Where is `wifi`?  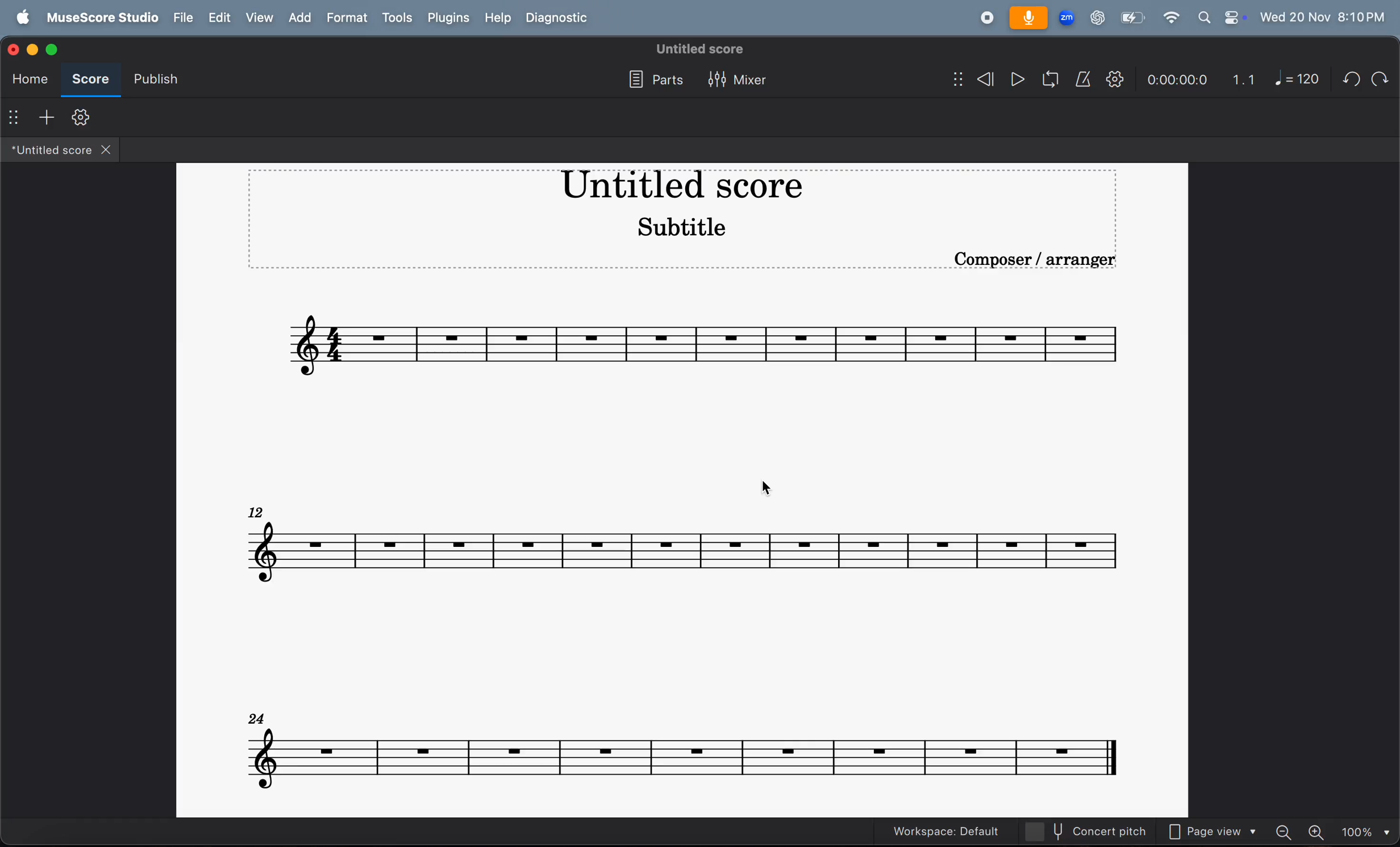 wifi is located at coordinates (1170, 17).